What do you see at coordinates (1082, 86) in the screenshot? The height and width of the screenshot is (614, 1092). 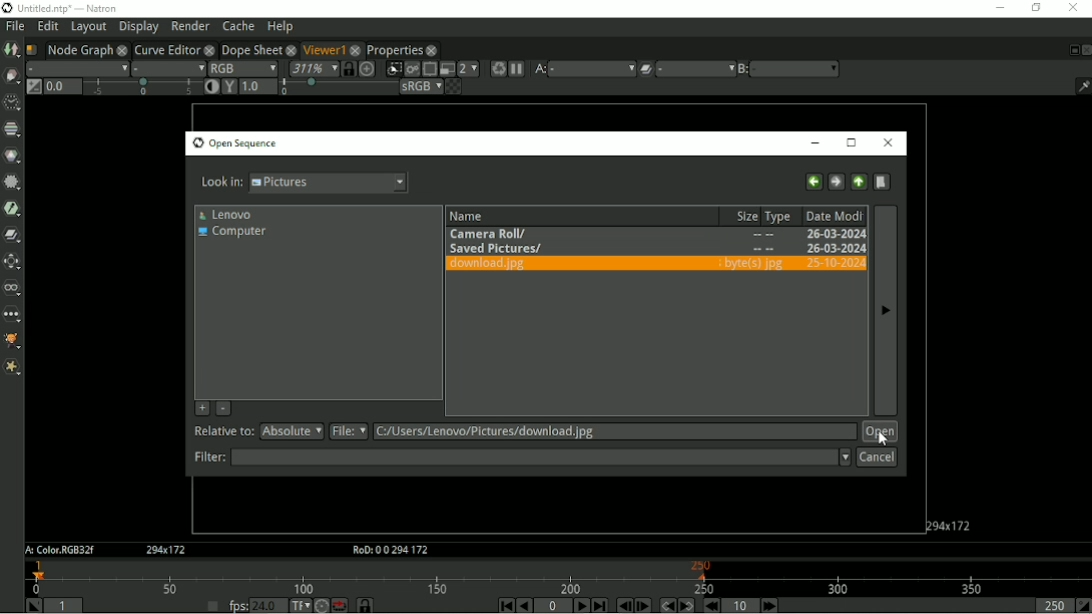 I see `Show/hide information bar` at bounding box center [1082, 86].